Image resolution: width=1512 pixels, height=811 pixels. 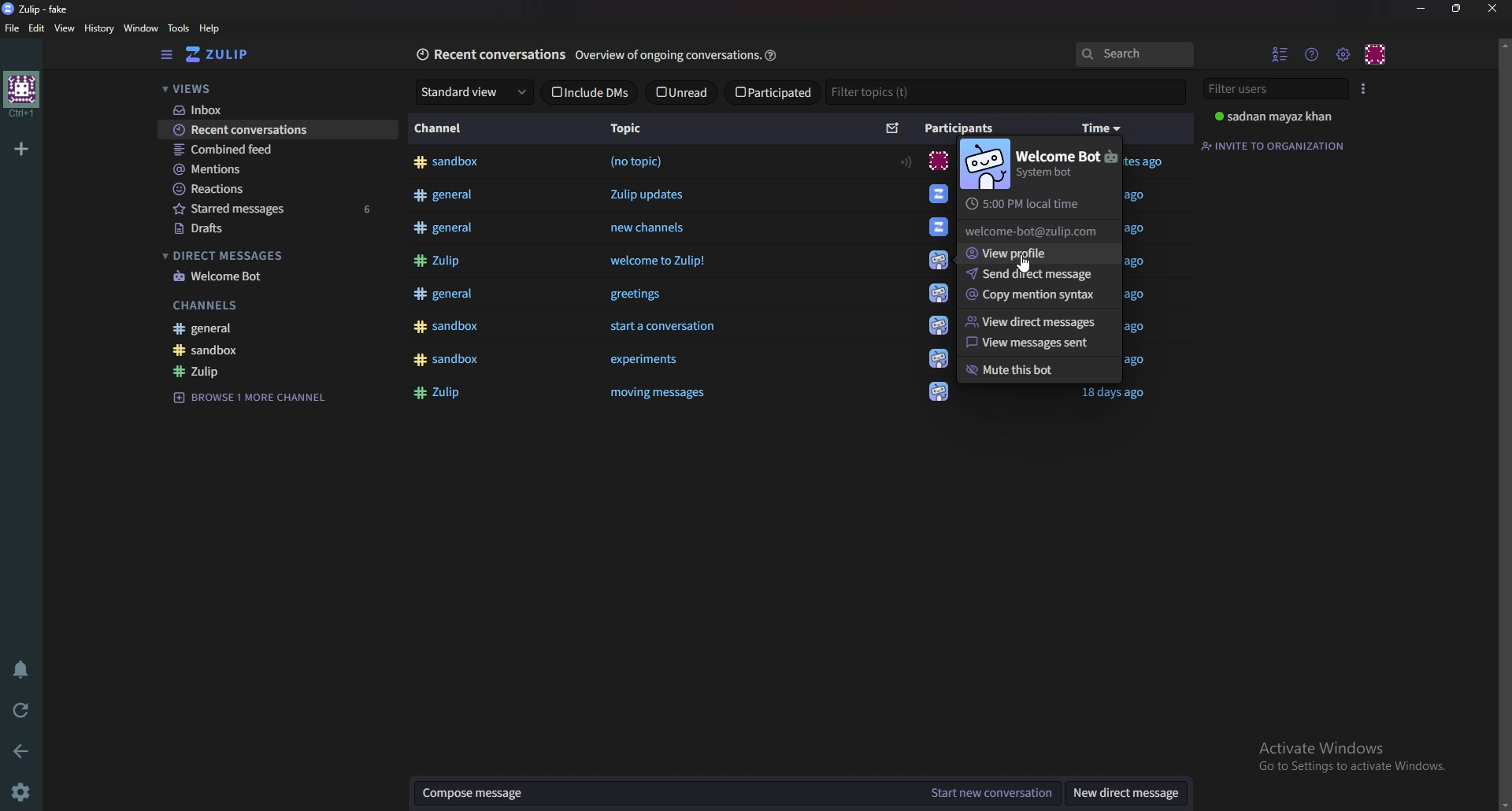 I want to click on , so click(x=662, y=393).